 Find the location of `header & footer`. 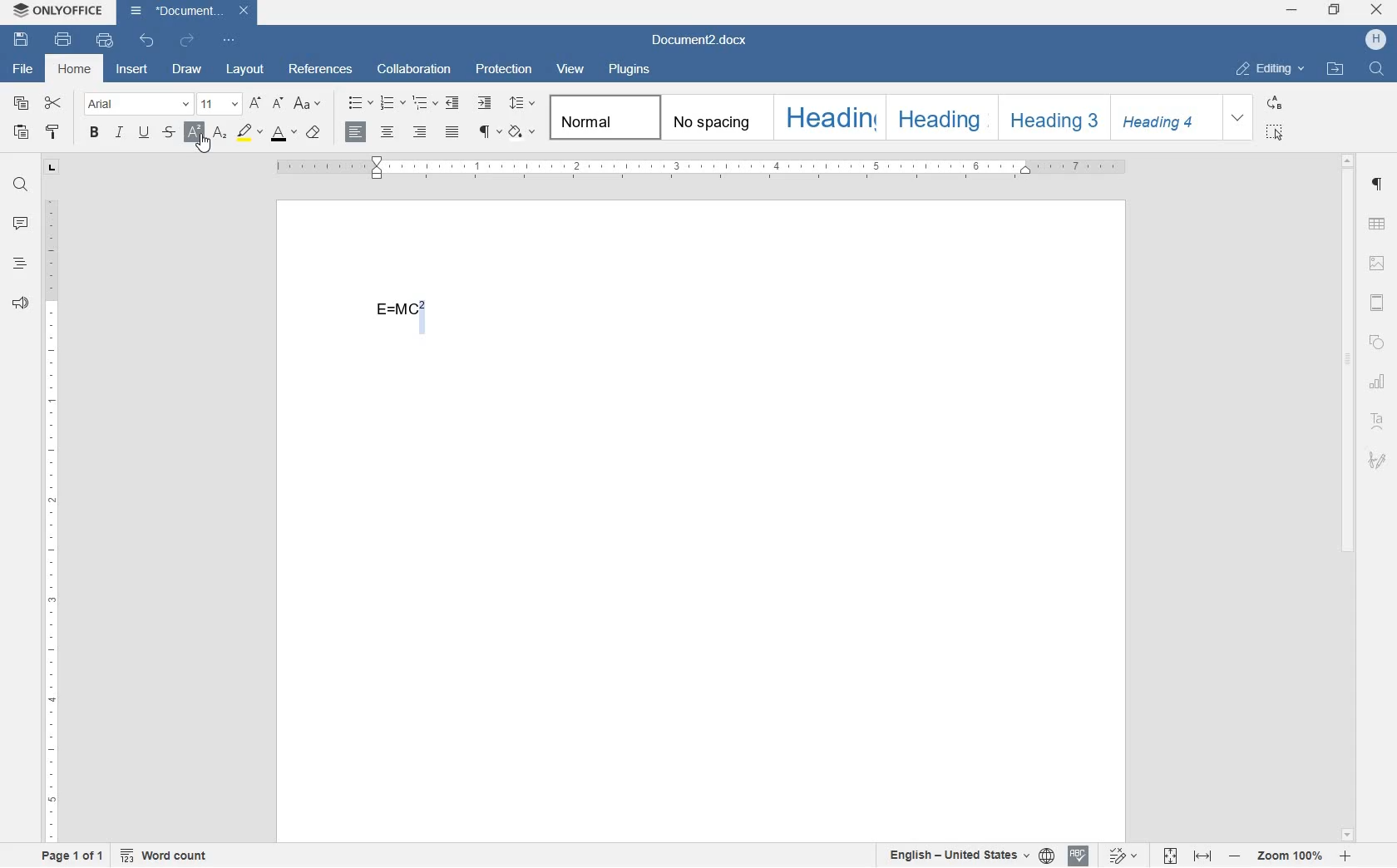

header & footer is located at coordinates (1379, 303).